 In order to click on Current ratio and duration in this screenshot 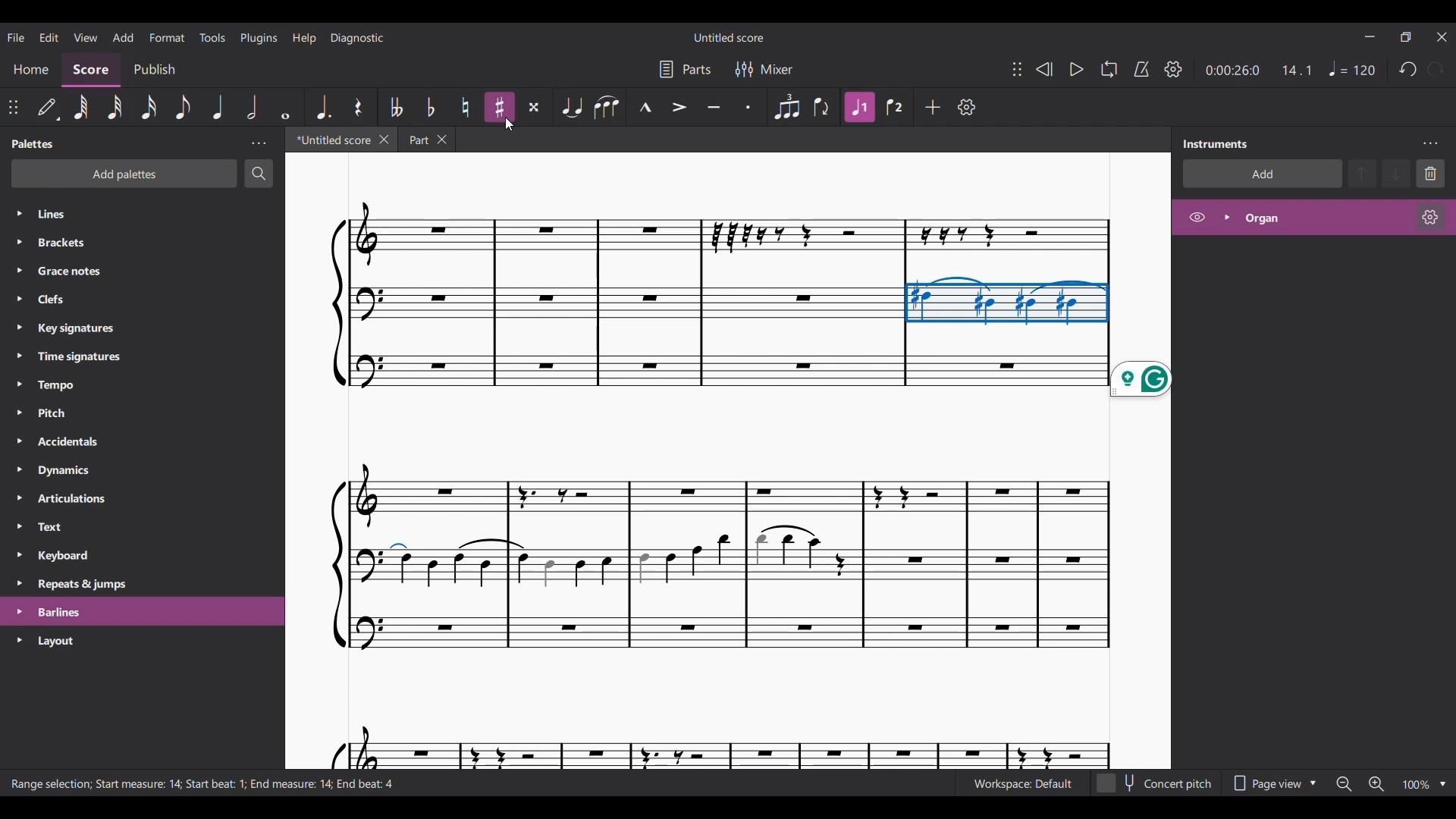, I will do `click(1258, 69)`.